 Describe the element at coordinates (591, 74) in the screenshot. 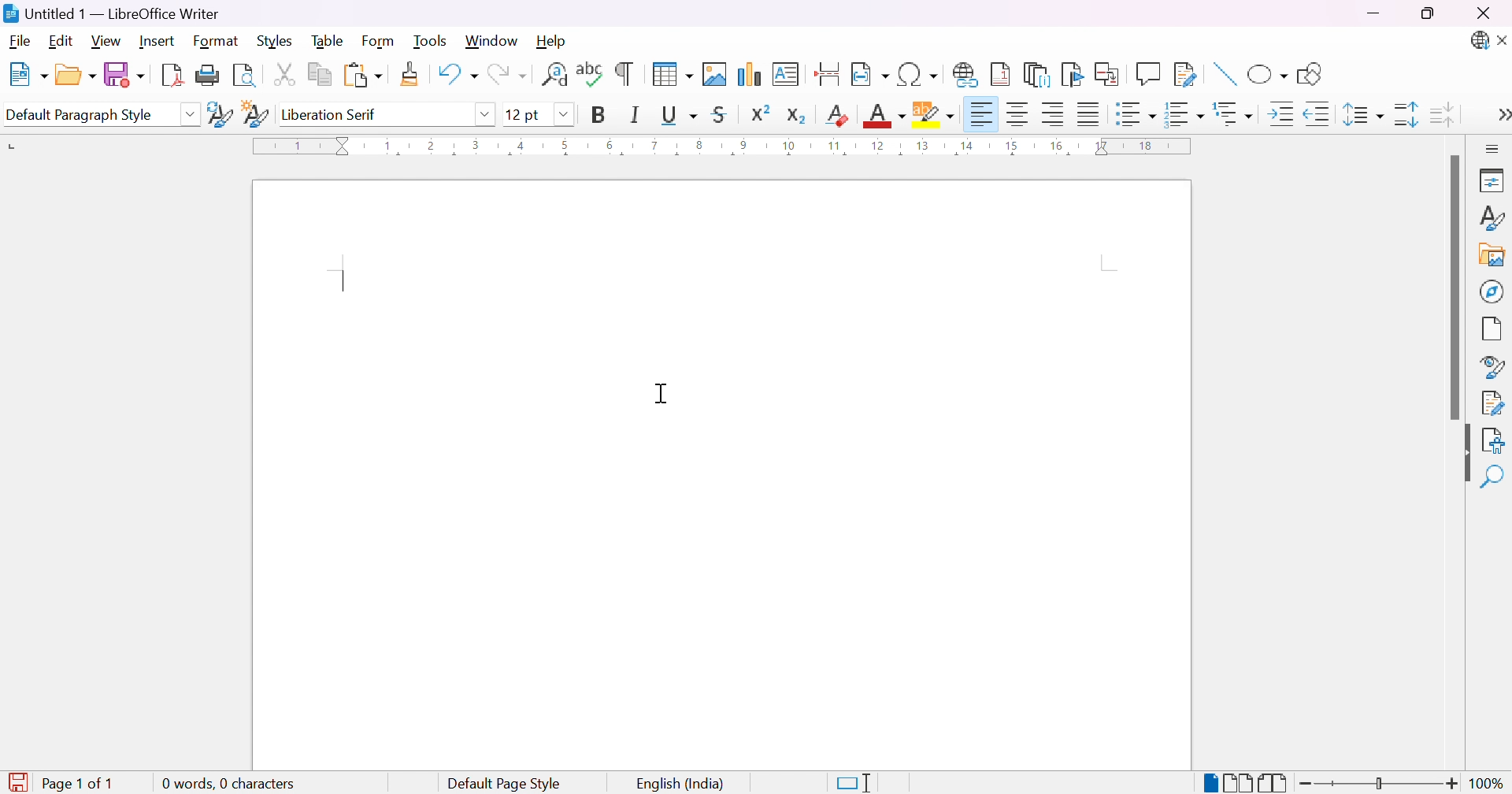

I see `Check spelling` at that location.